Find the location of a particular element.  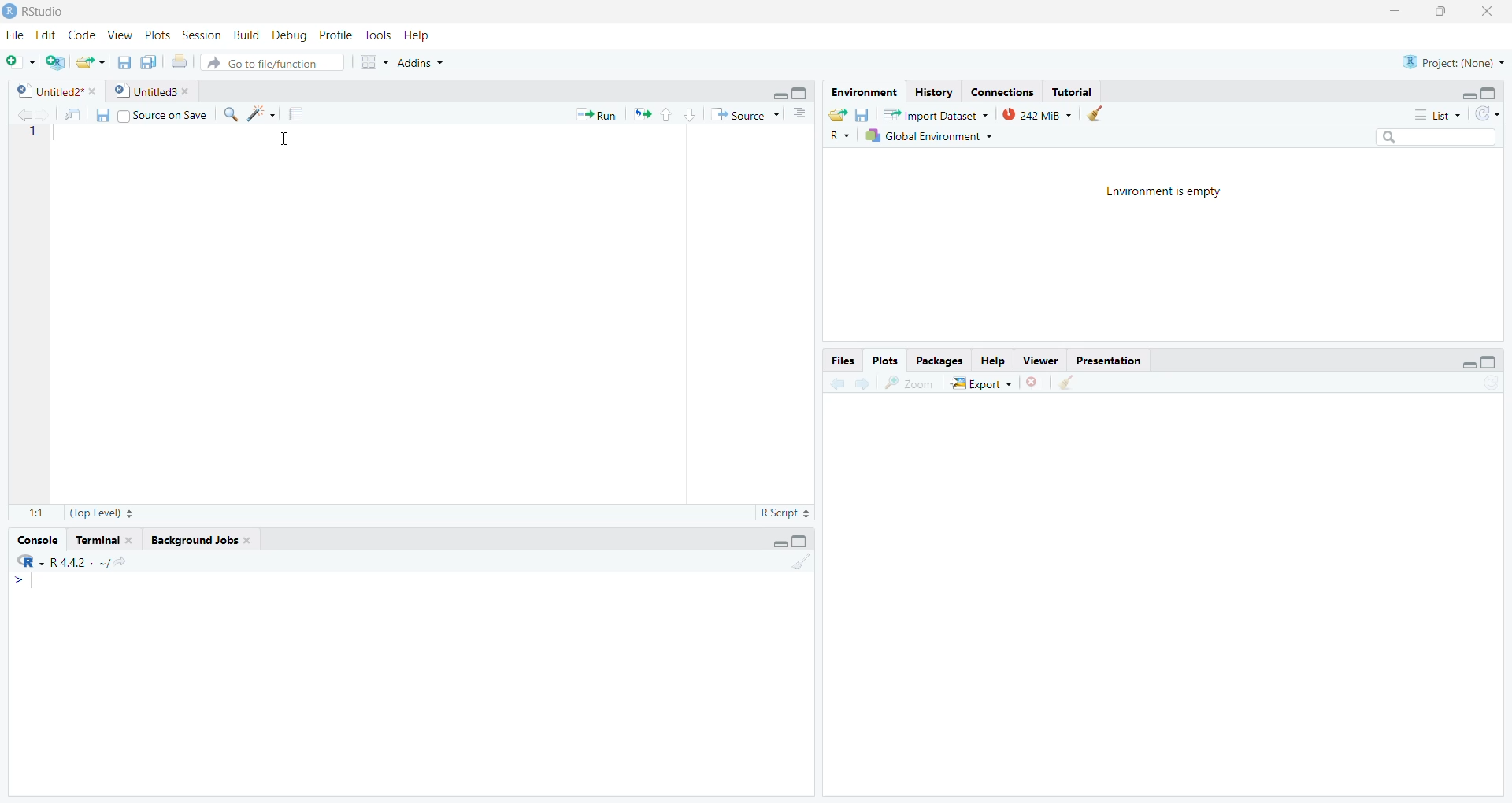

Refresh Theme is located at coordinates (1487, 113).